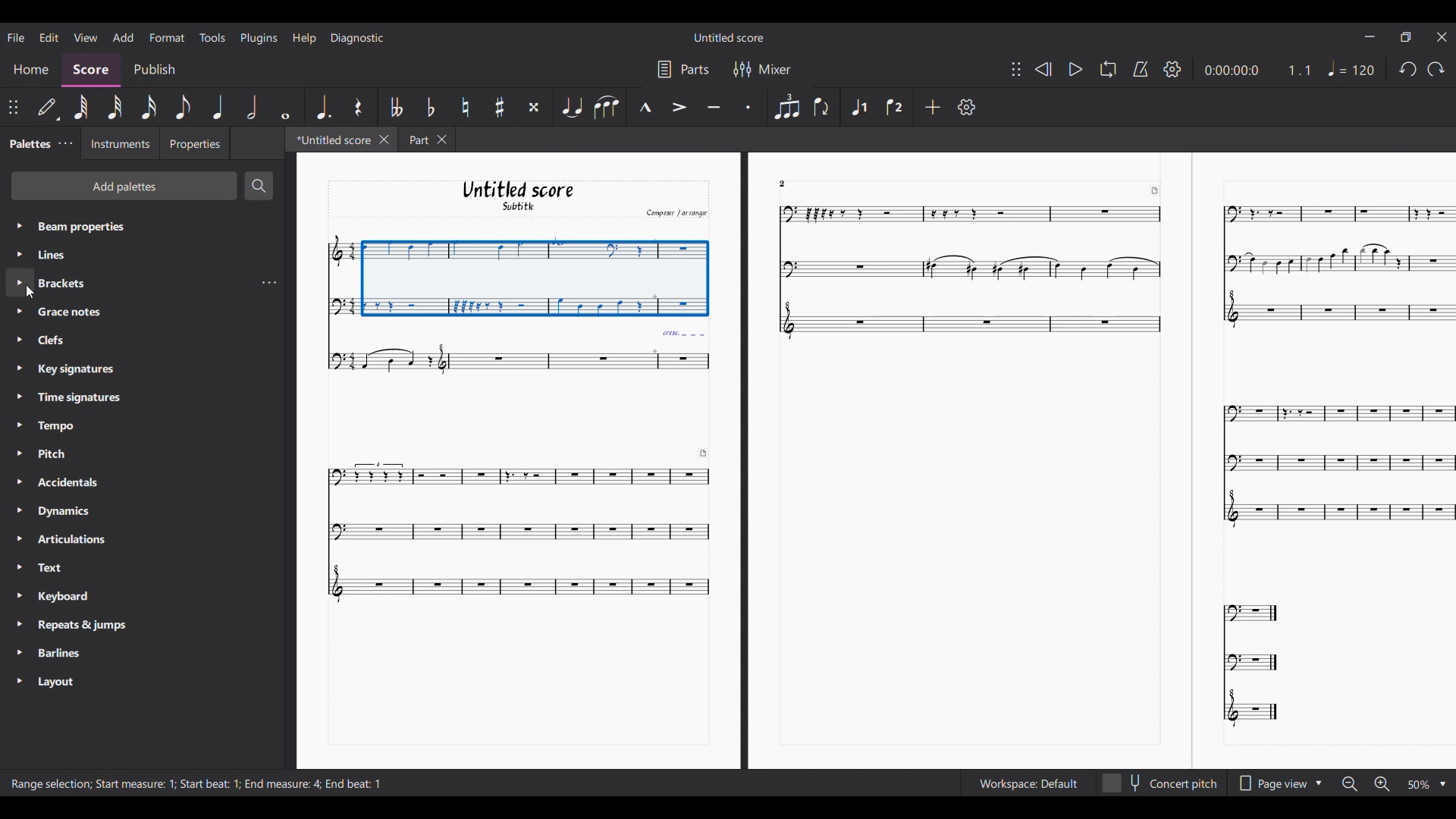 Image resolution: width=1456 pixels, height=819 pixels. Describe the element at coordinates (1247, 707) in the screenshot. I see `` at that location.